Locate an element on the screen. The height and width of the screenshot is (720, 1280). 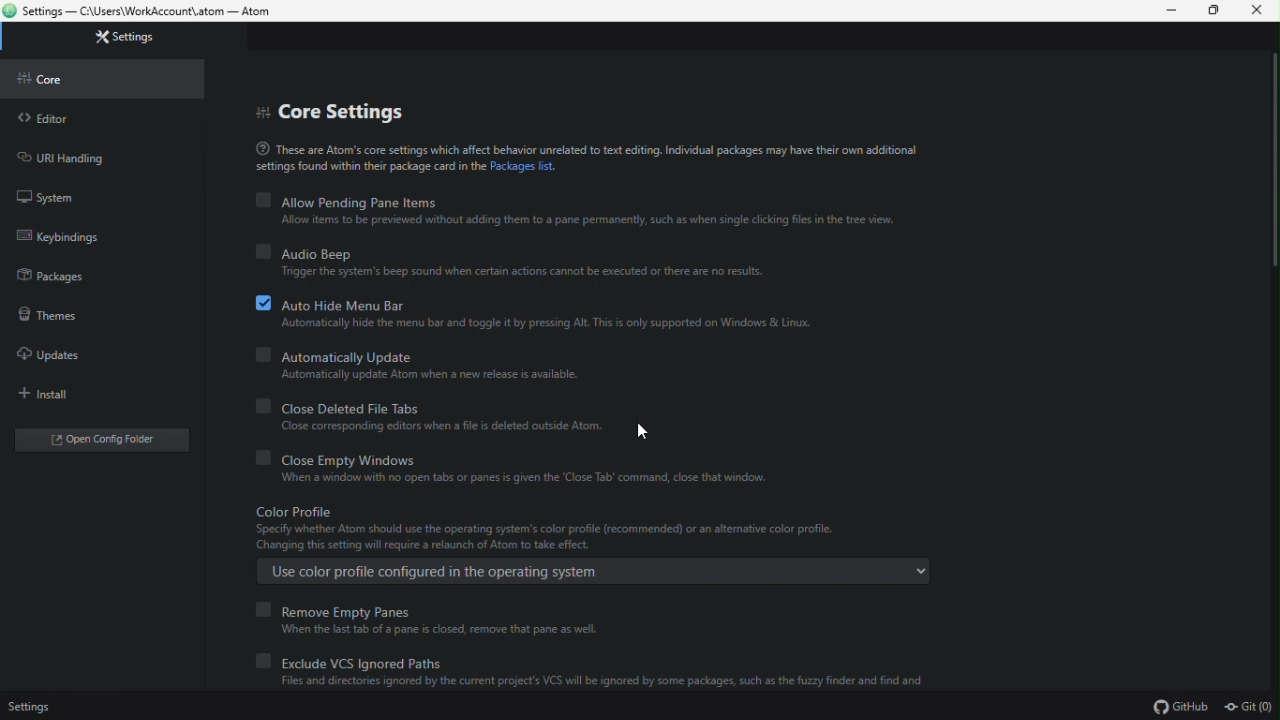
Settings is located at coordinates (119, 38).